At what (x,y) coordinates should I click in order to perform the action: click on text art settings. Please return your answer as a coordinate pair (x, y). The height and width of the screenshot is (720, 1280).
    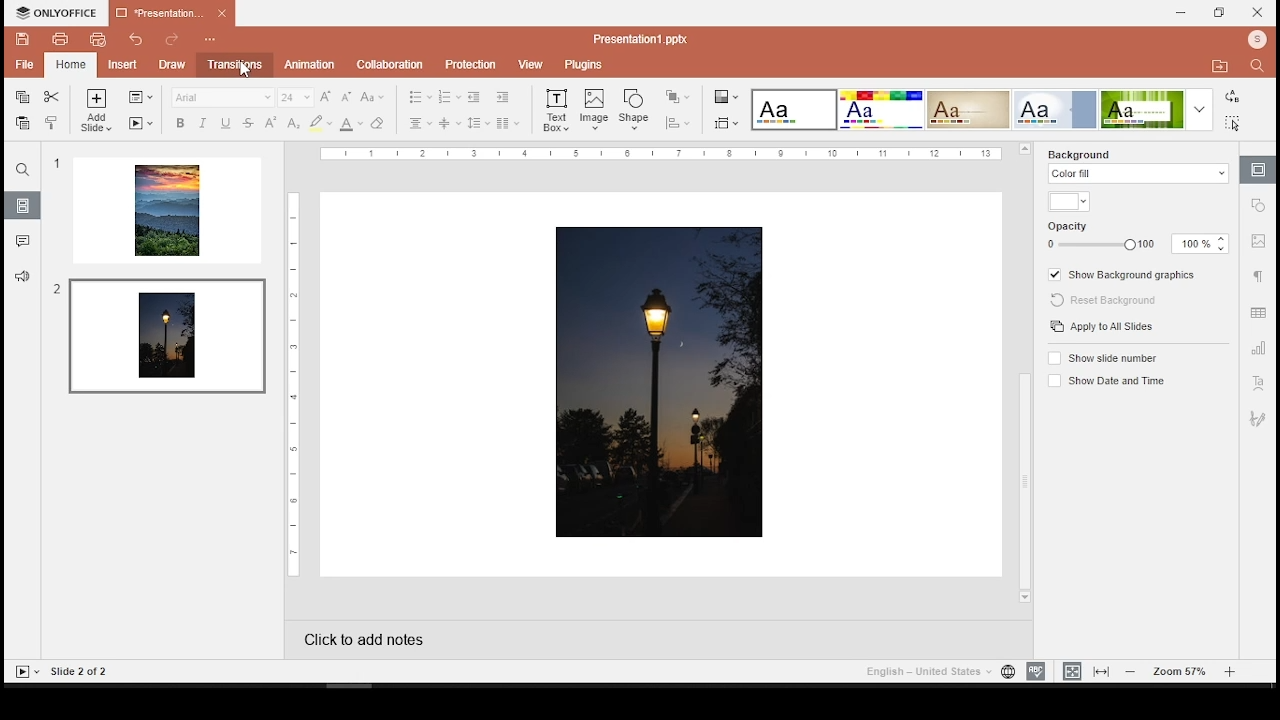
    Looking at the image, I should click on (1259, 383).